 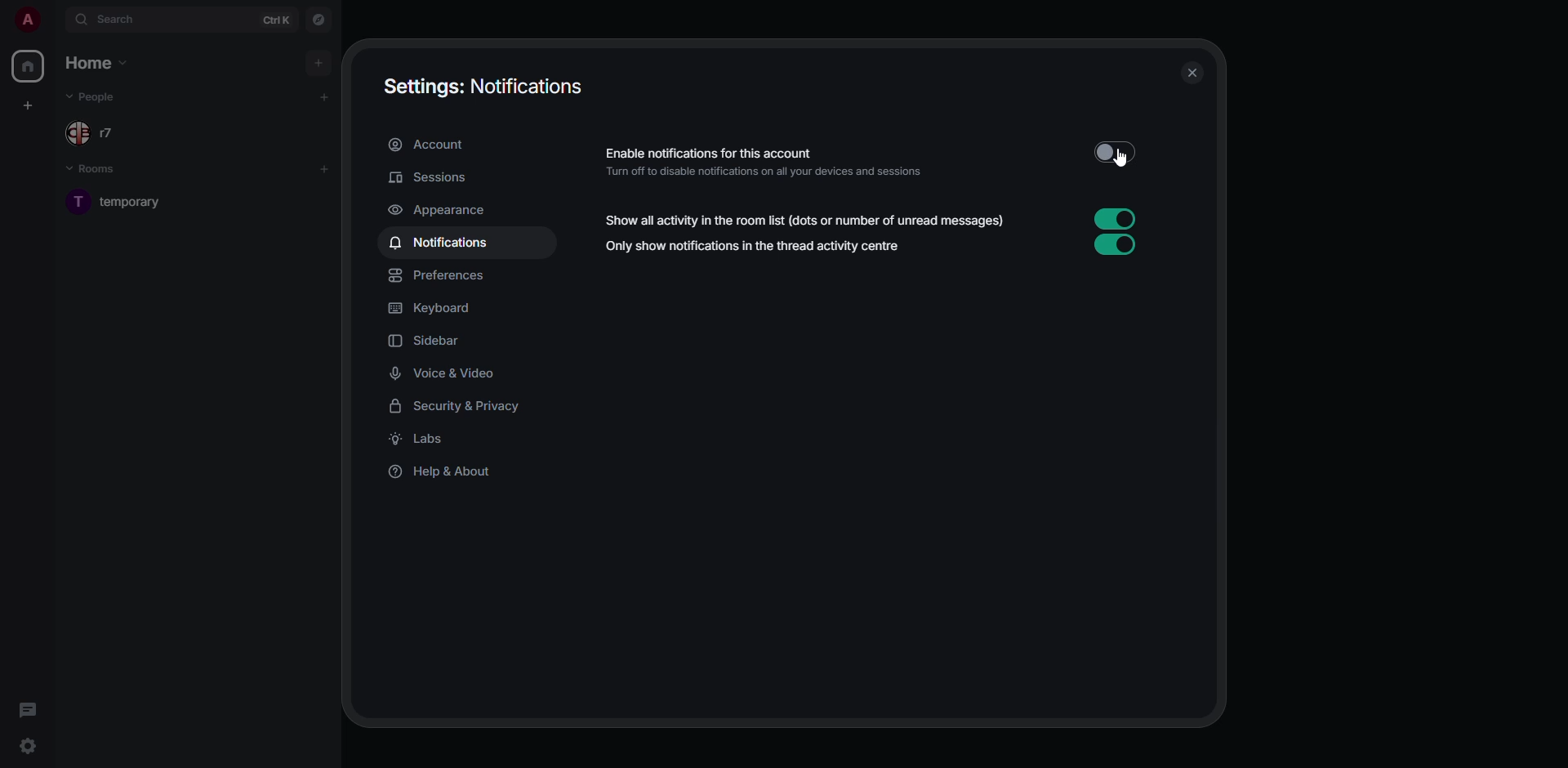 What do you see at coordinates (27, 20) in the screenshot?
I see `profile` at bounding box center [27, 20].